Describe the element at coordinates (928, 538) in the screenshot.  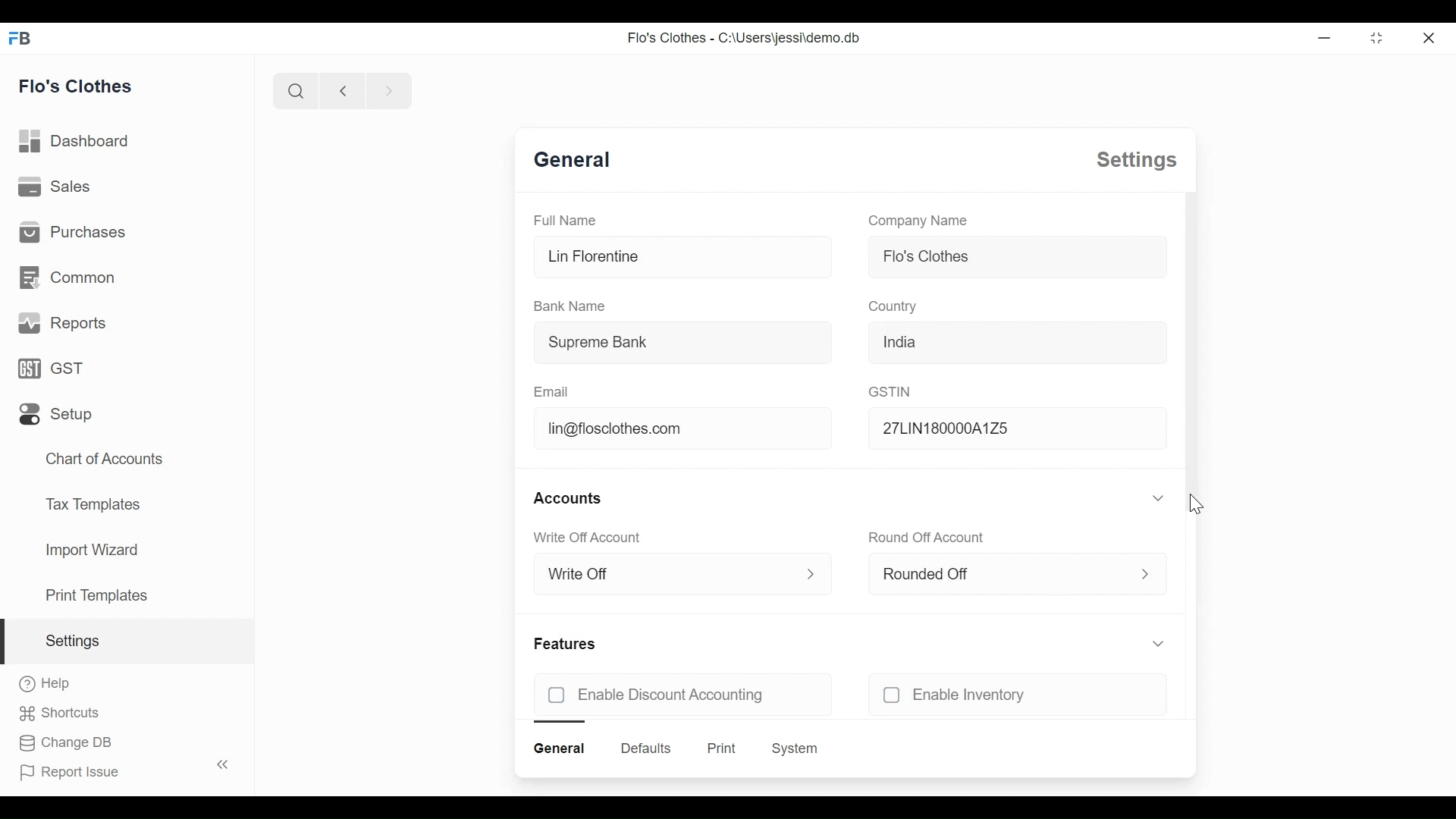
I see `Round Off Account` at that location.